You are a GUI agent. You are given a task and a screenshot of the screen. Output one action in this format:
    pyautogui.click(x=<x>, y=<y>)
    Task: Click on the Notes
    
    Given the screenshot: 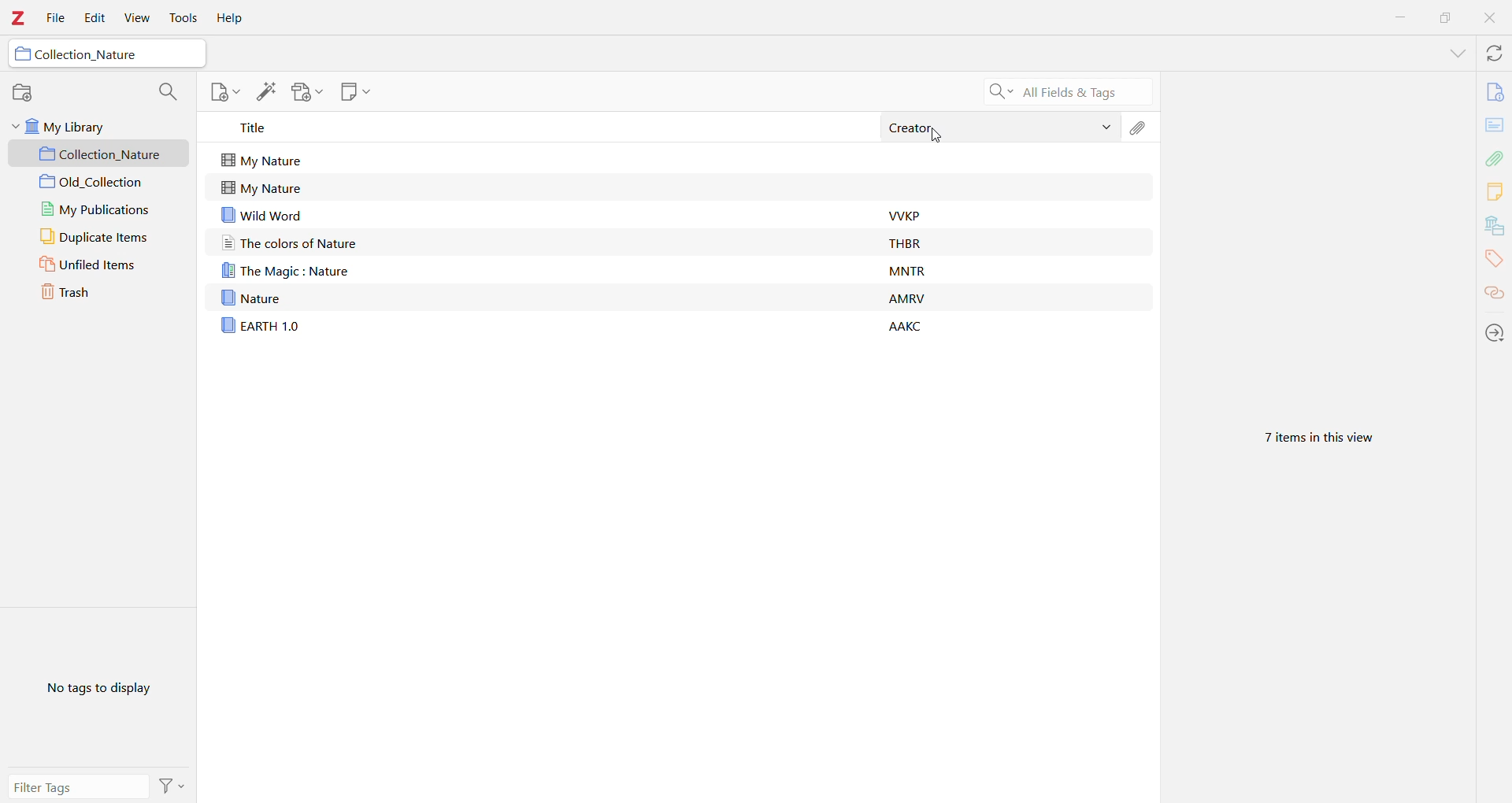 What is the action you would take?
    pyautogui.click(x=1495, y=191)
    